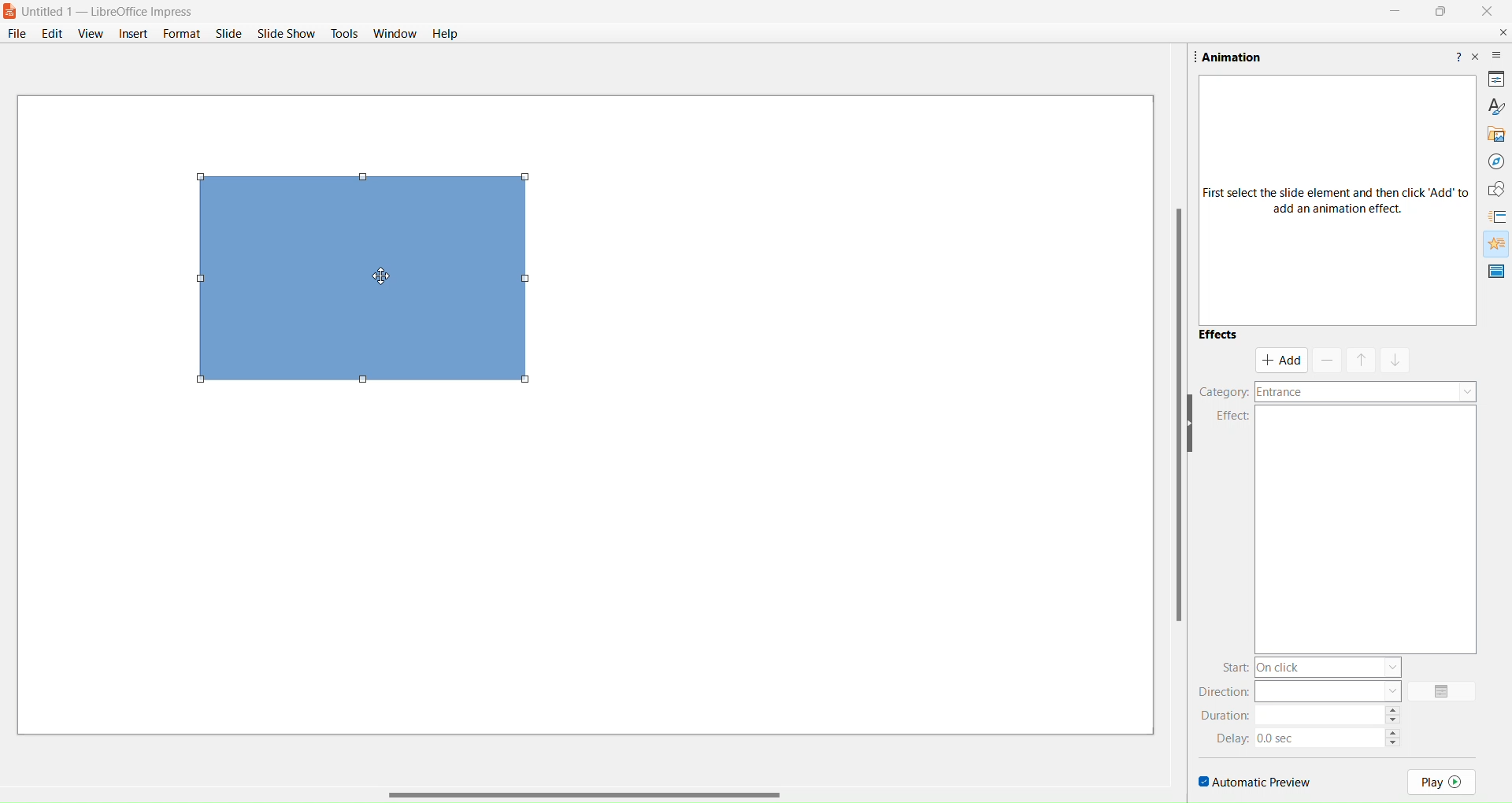 Image resolution: width=1512 pixels, height=803 pixels. Describe the element at coordinates (1320, 735) in the screenshot. I see `time` at that location.